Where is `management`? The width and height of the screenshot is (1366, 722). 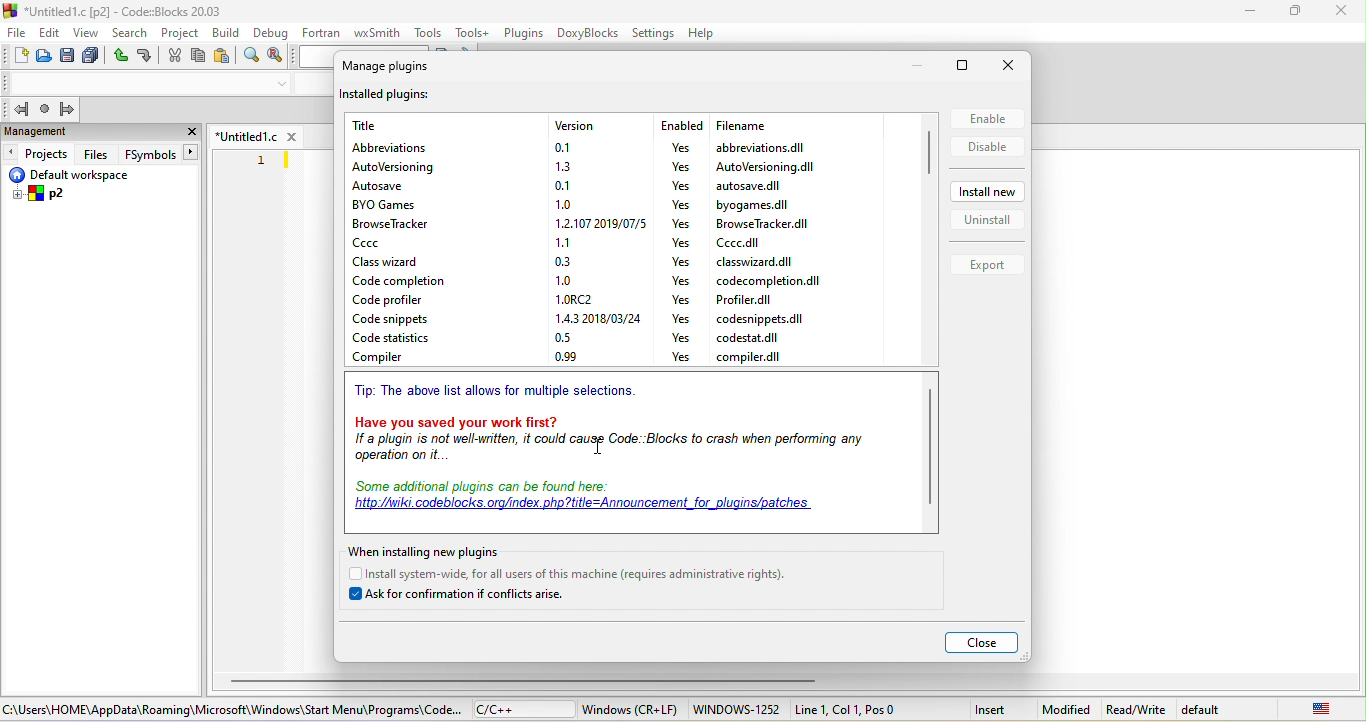
management is located at coordinates (79, 134).